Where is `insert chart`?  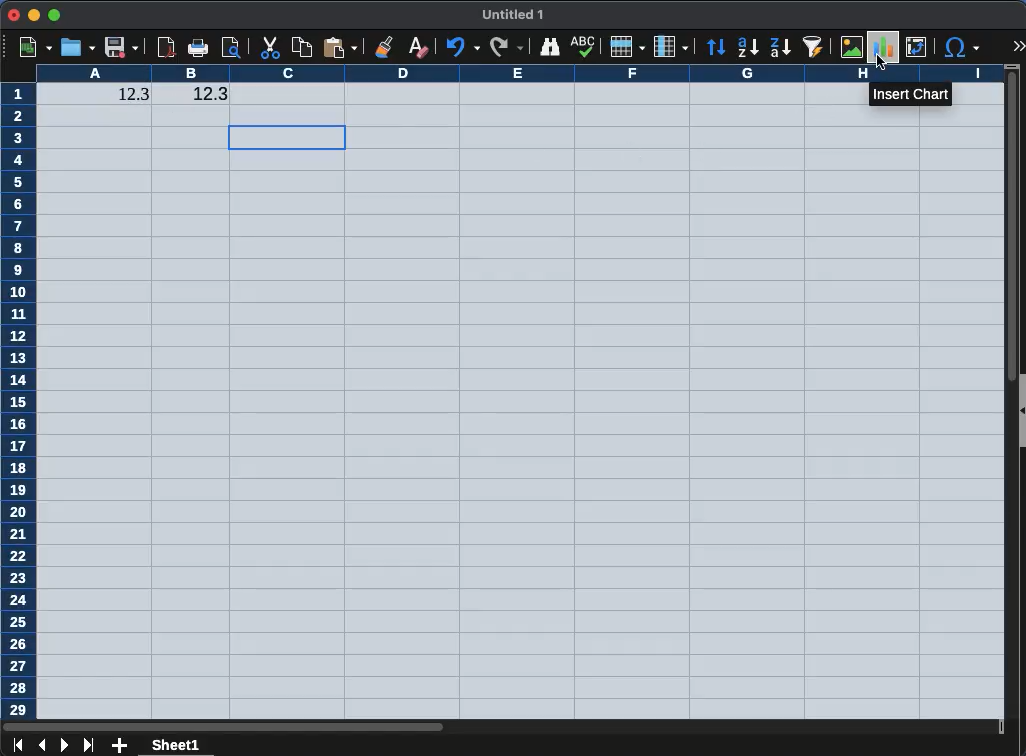 insert chart is located at coordinates (911, 94).